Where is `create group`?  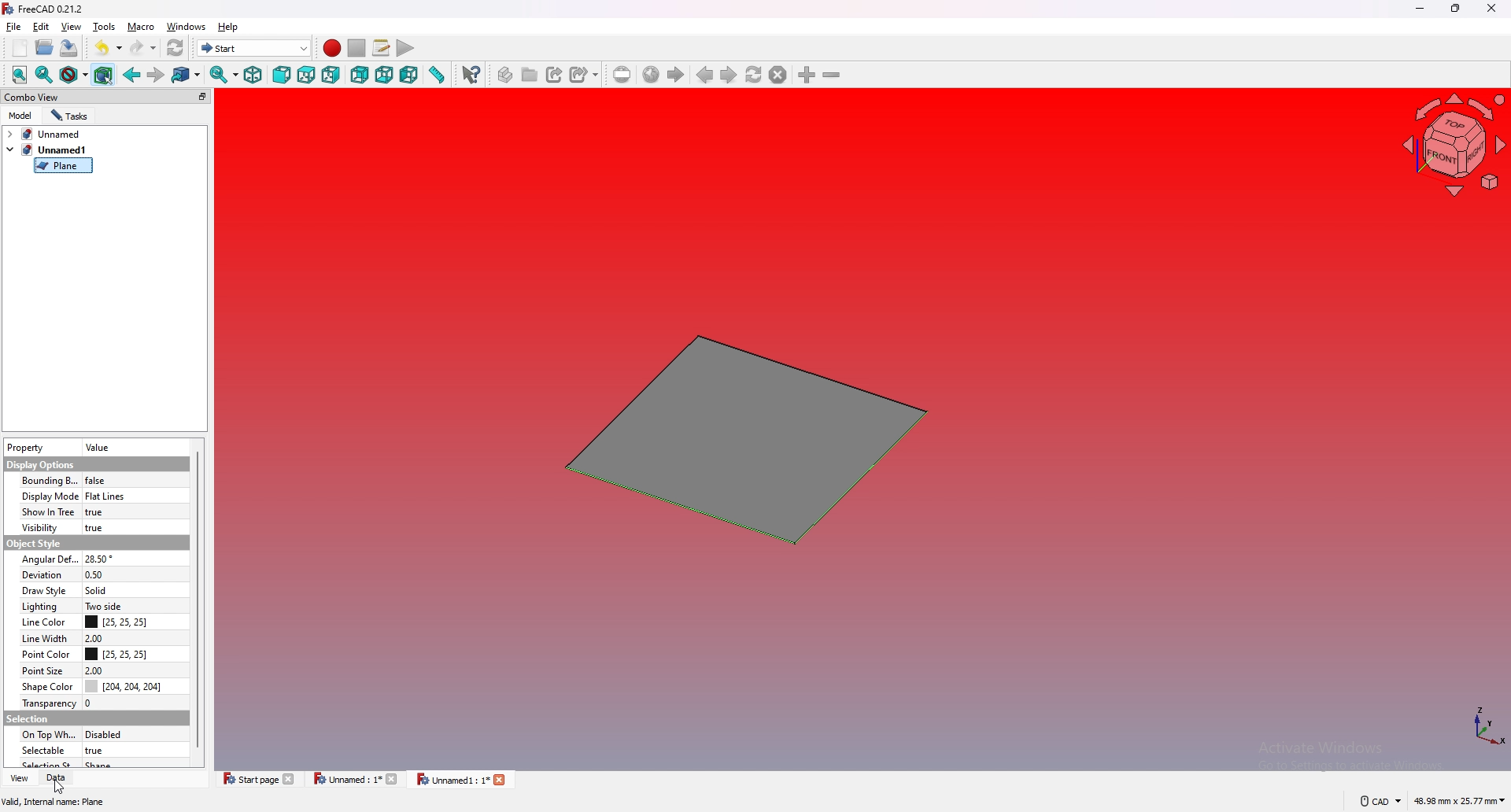 create group is located at coordinates (531, 74).